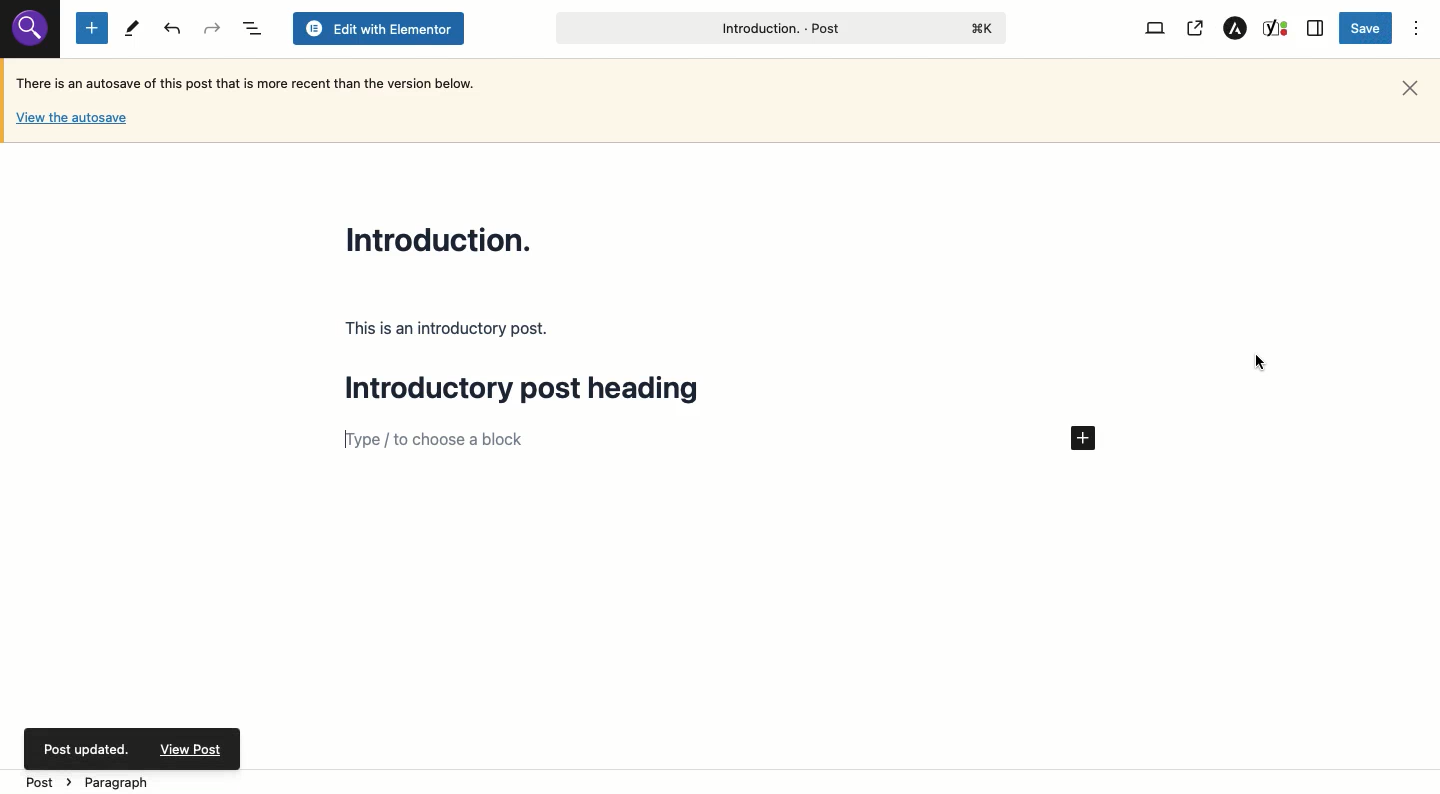 This screenshot has height=794, width=1440. What do you see at coordinates (444, 238) in the screenshot?
I see `Title` at bounding box center [444, 238].